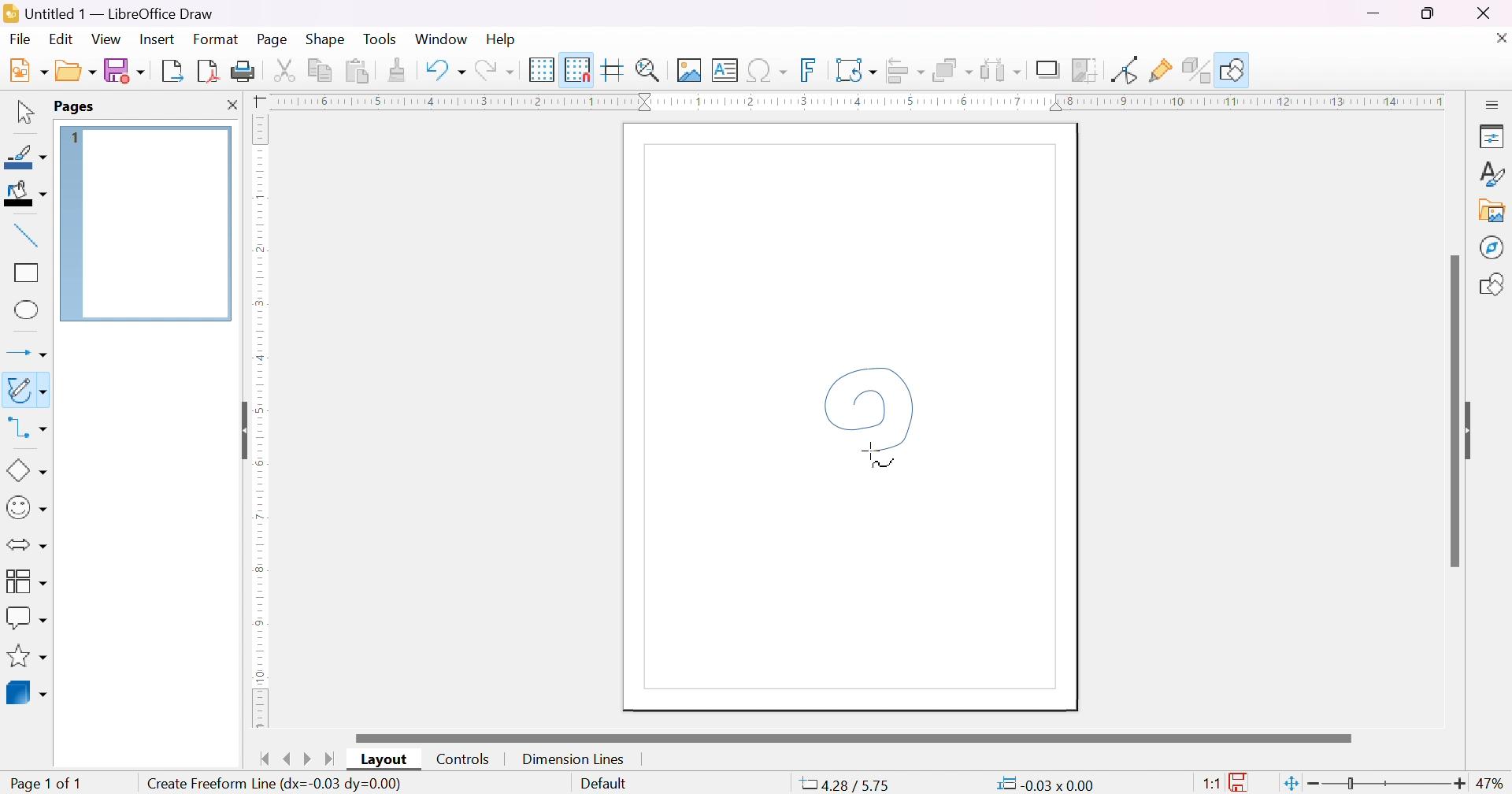 The width and height of the screenshot is (1512, 794). Describe the element at coordinates (321, 70) in the screenshot. I see `copy` at that location.